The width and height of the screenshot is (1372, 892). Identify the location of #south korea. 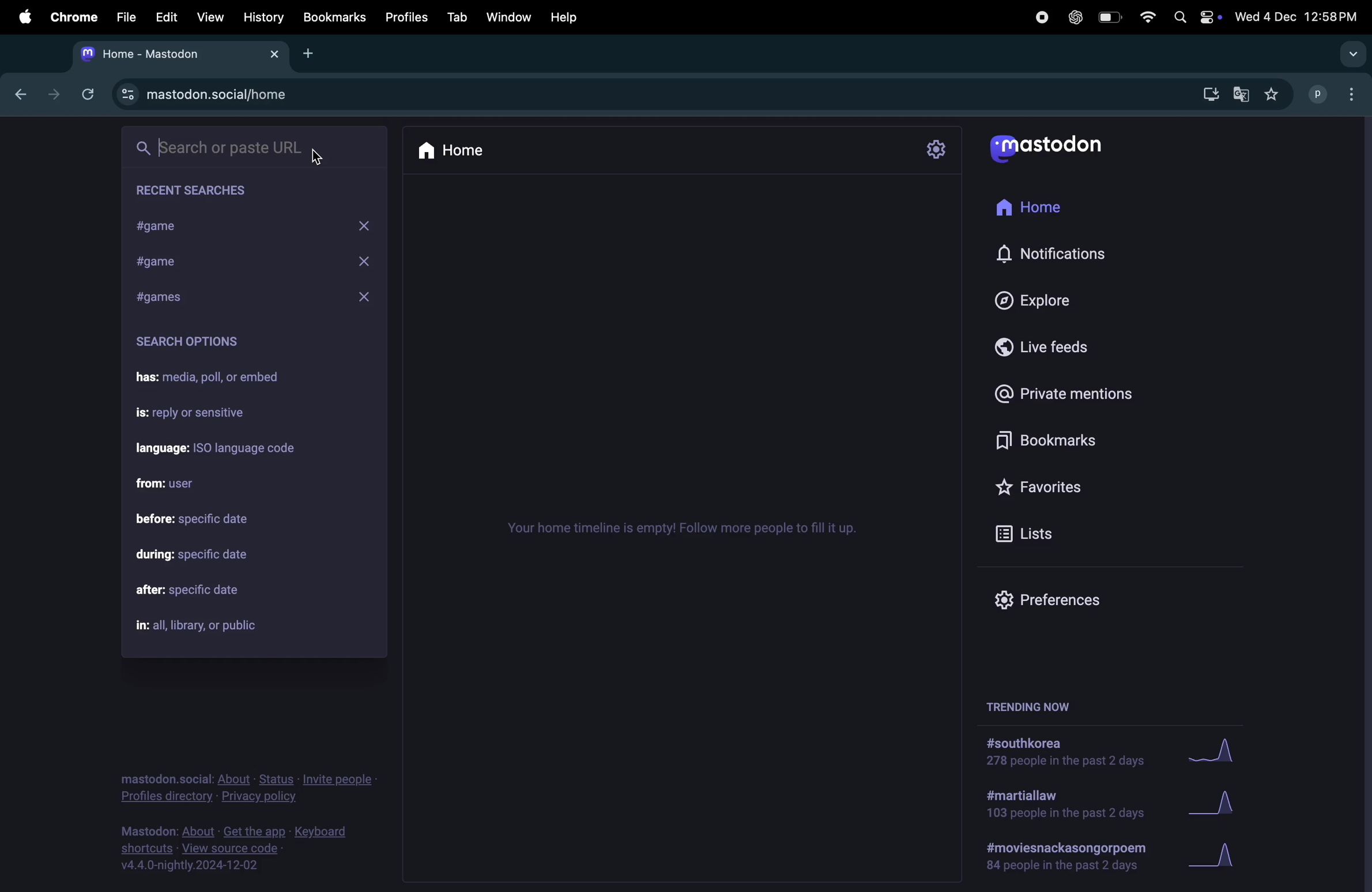
(1058, 754).